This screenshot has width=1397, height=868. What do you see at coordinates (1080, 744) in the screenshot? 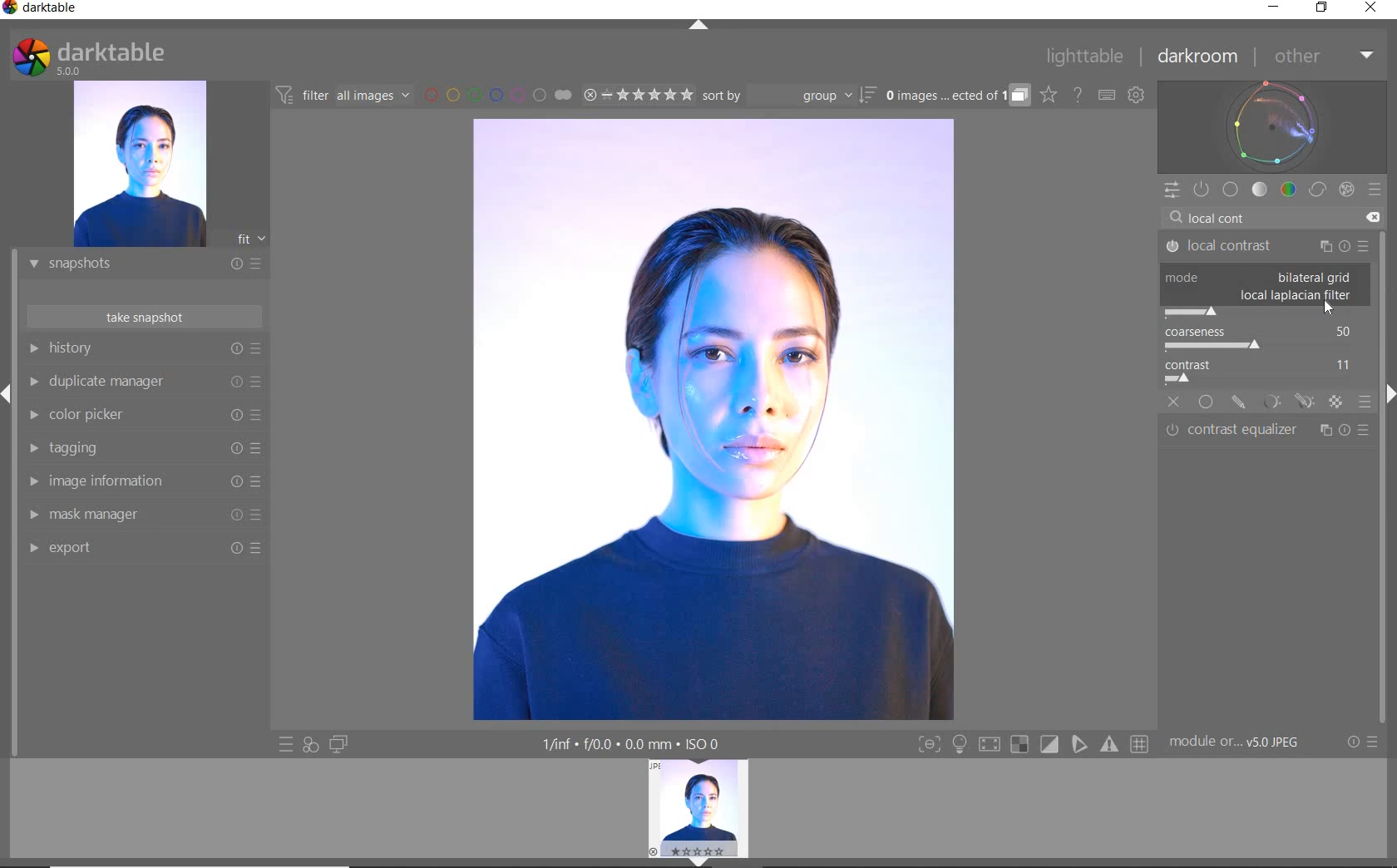
I see `Button` at bounding box center [1080, 744].